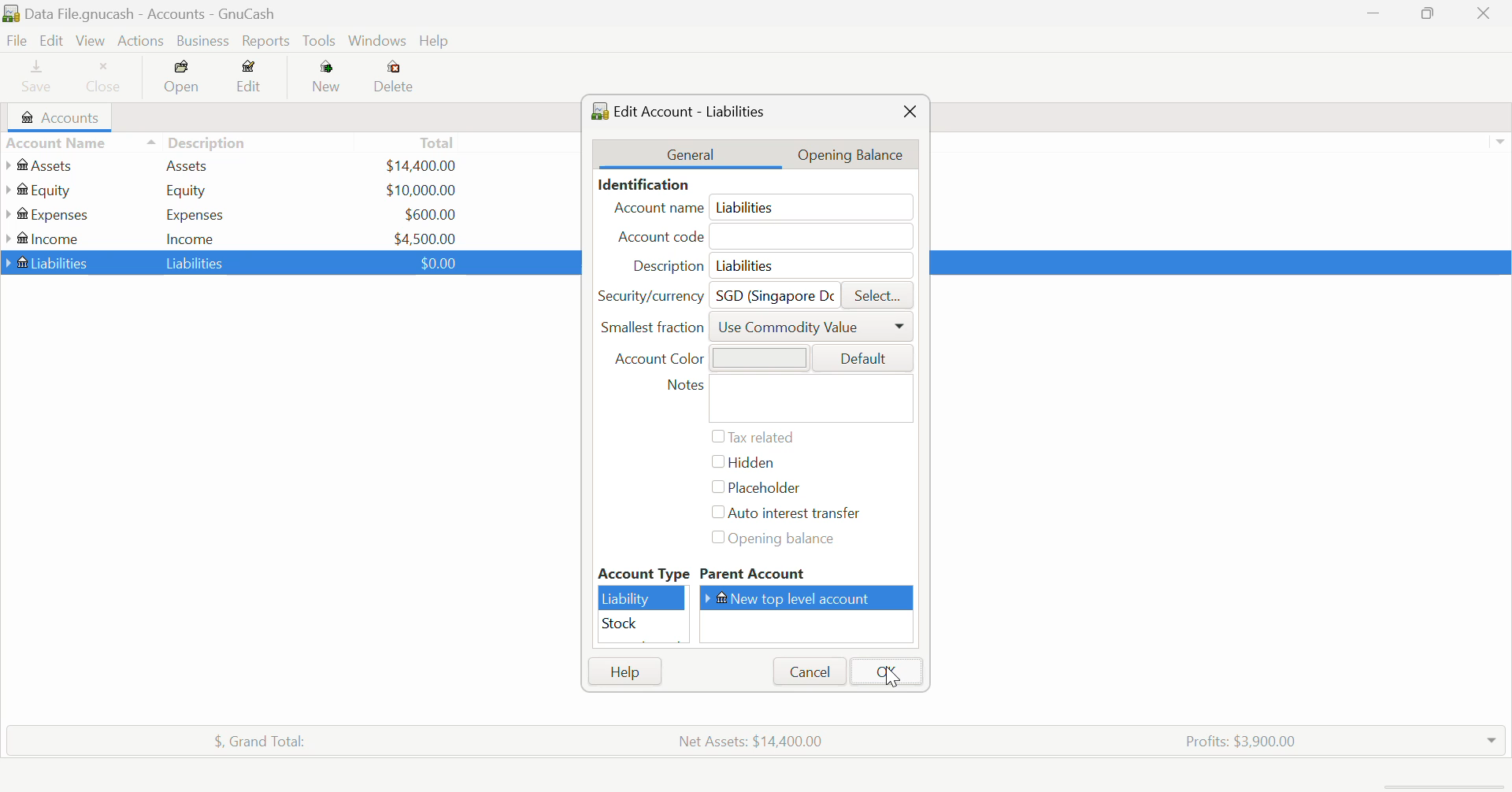 Image resolution: width=1512 pixels, height=792 pixels. Describe the element at coordinates (48, 261) in the screenshot. I see `Liabilities Account` at that location.